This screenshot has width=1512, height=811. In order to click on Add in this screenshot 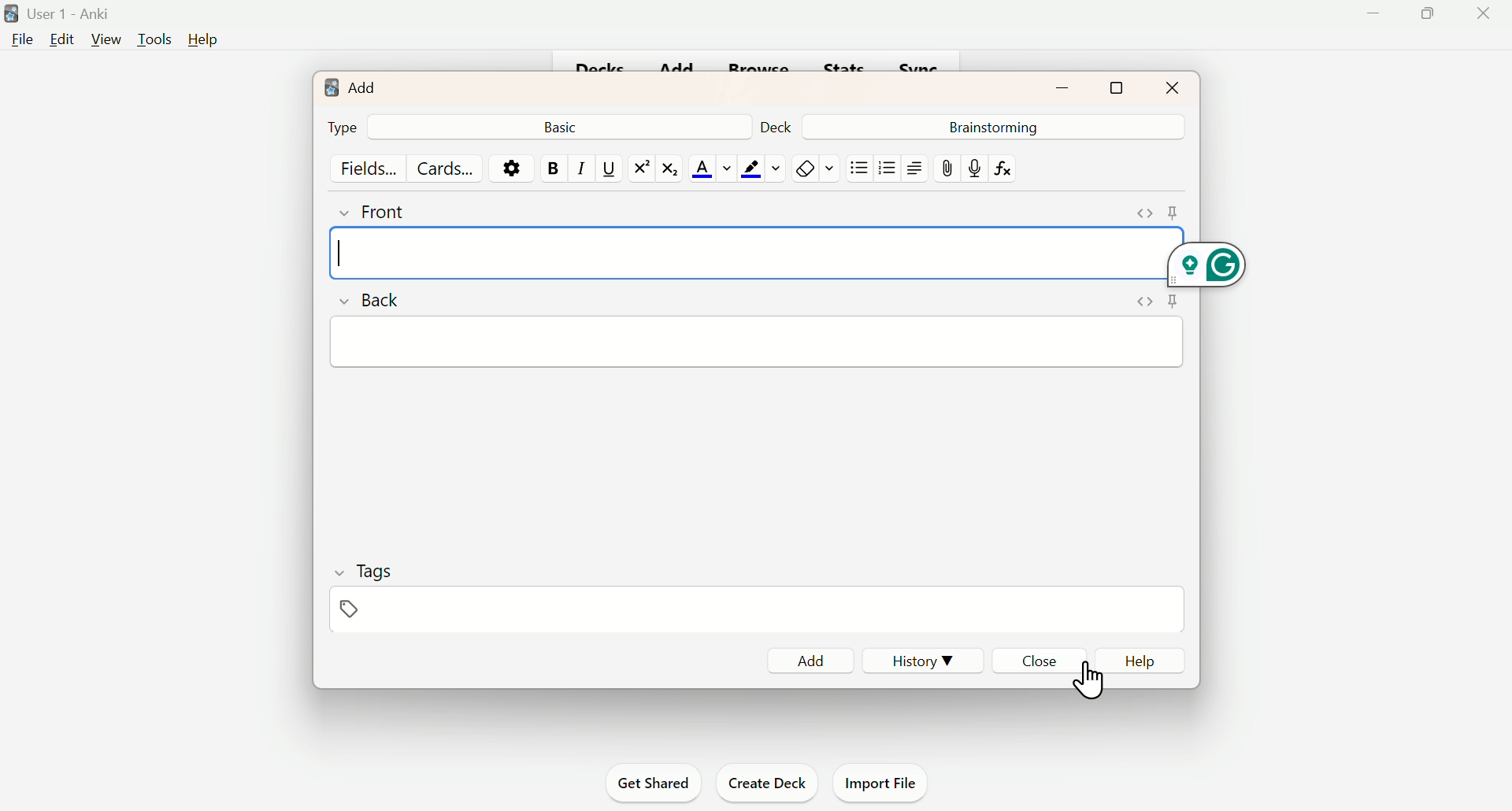, I will do `click(811, 660)`.